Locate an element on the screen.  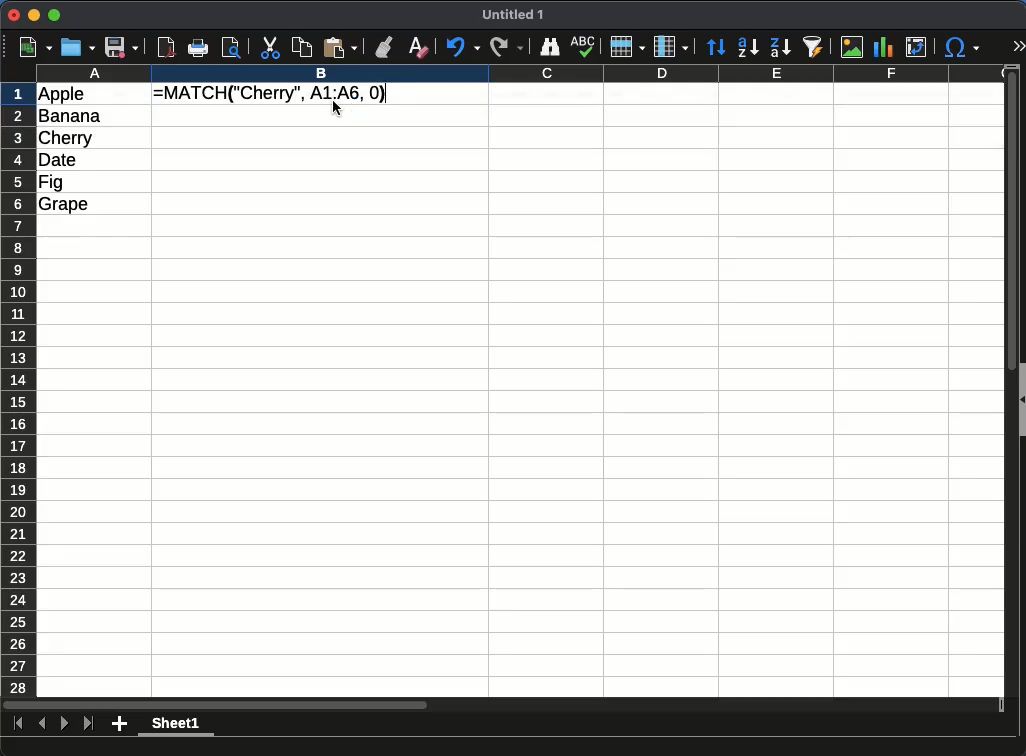
sort is located at coordinates (717, 47).